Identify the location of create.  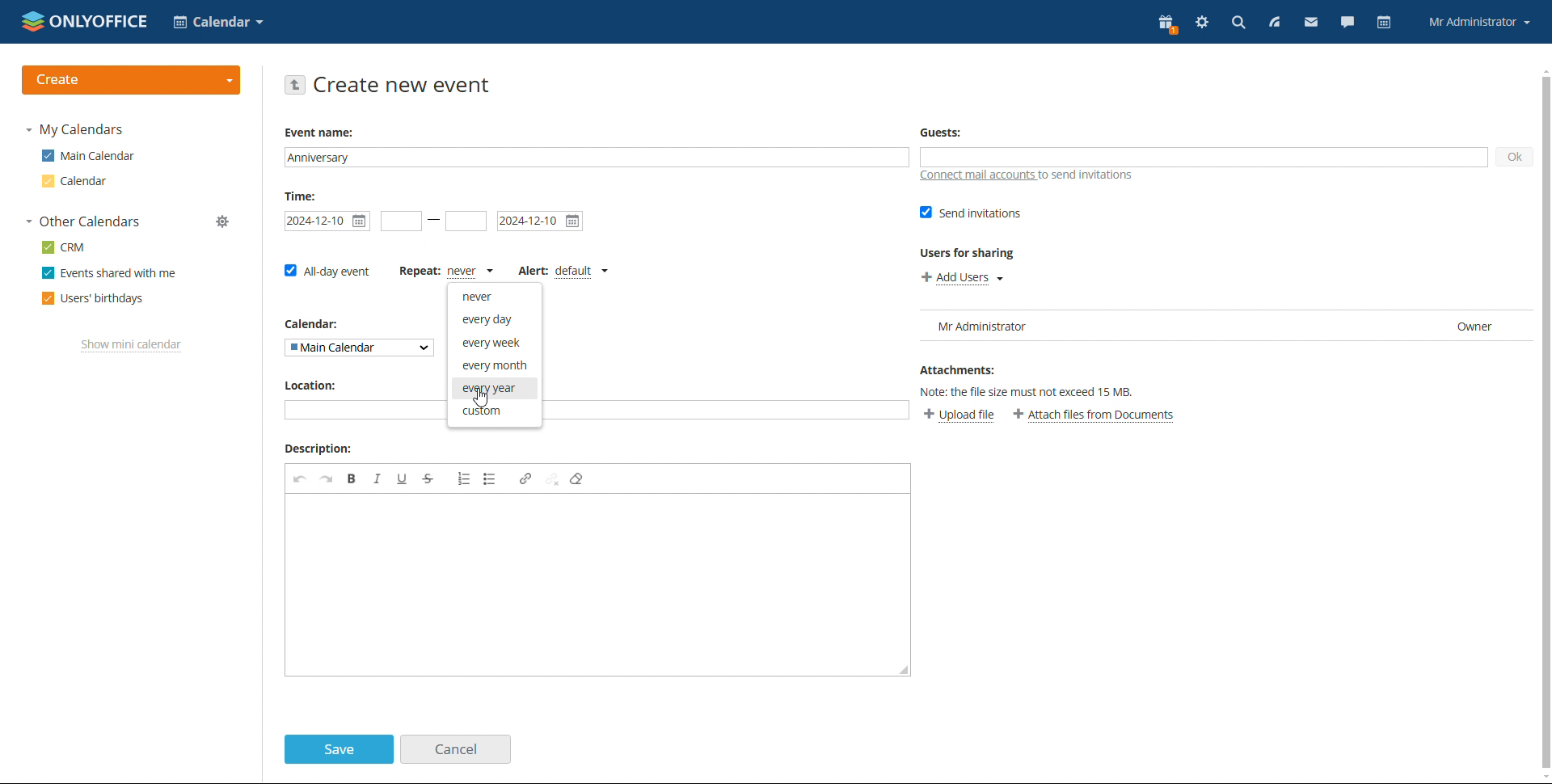
(135, 78).